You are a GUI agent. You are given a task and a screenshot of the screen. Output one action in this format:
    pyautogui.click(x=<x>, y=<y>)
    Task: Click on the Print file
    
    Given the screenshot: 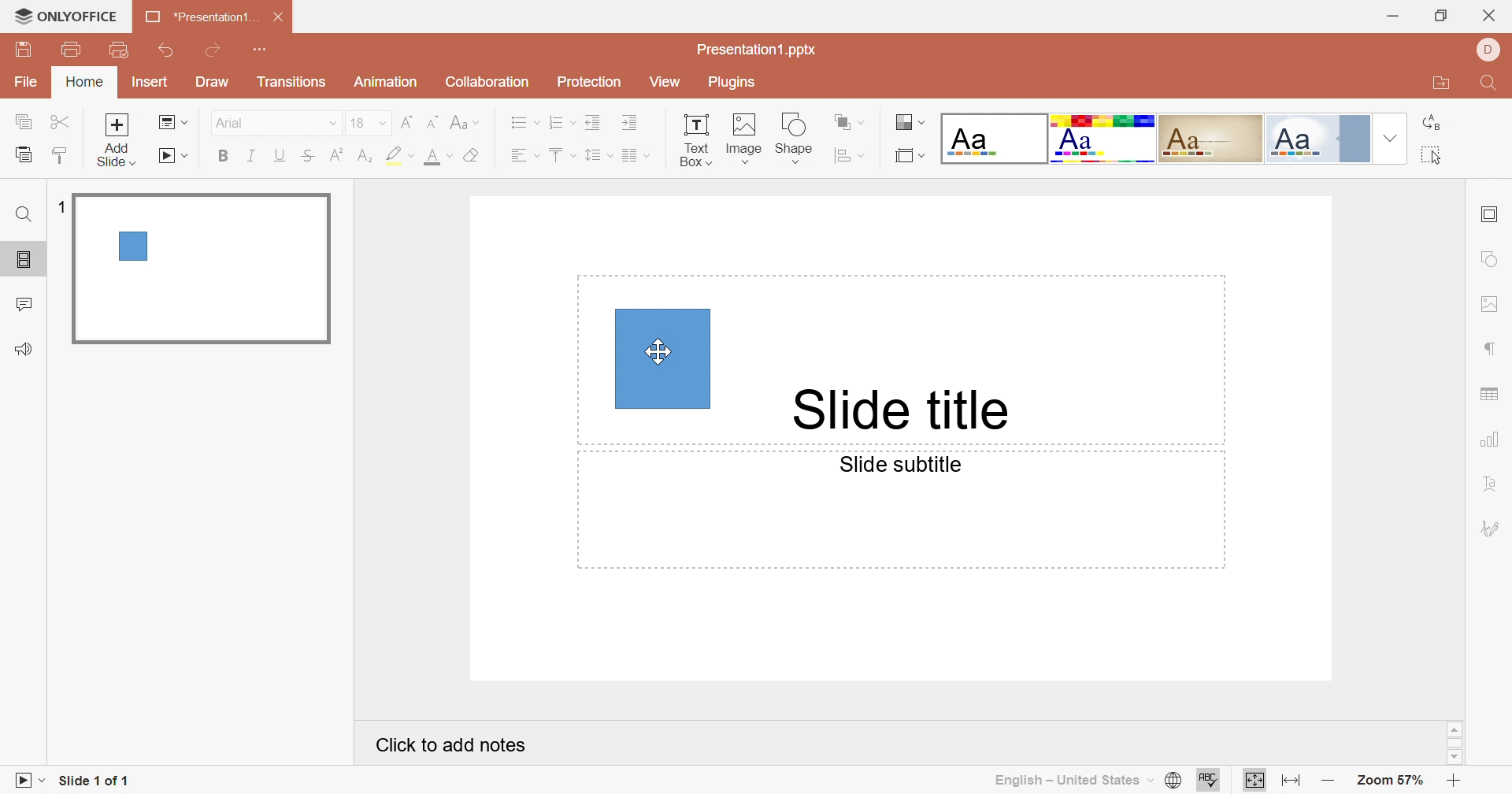 What is the action you would take?
    pyautogui.click(x=69, y=52)
    